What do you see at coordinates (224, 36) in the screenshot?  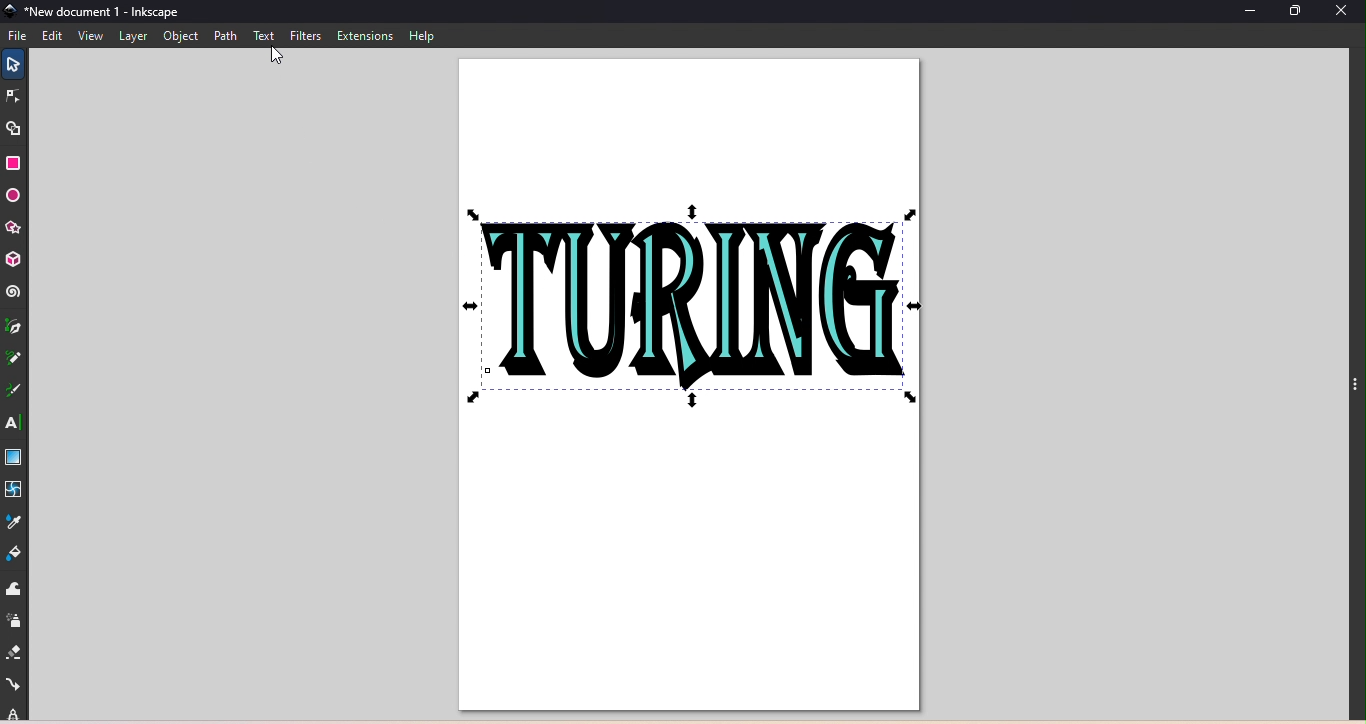 I see `Path` at bounding box center [224, 36].